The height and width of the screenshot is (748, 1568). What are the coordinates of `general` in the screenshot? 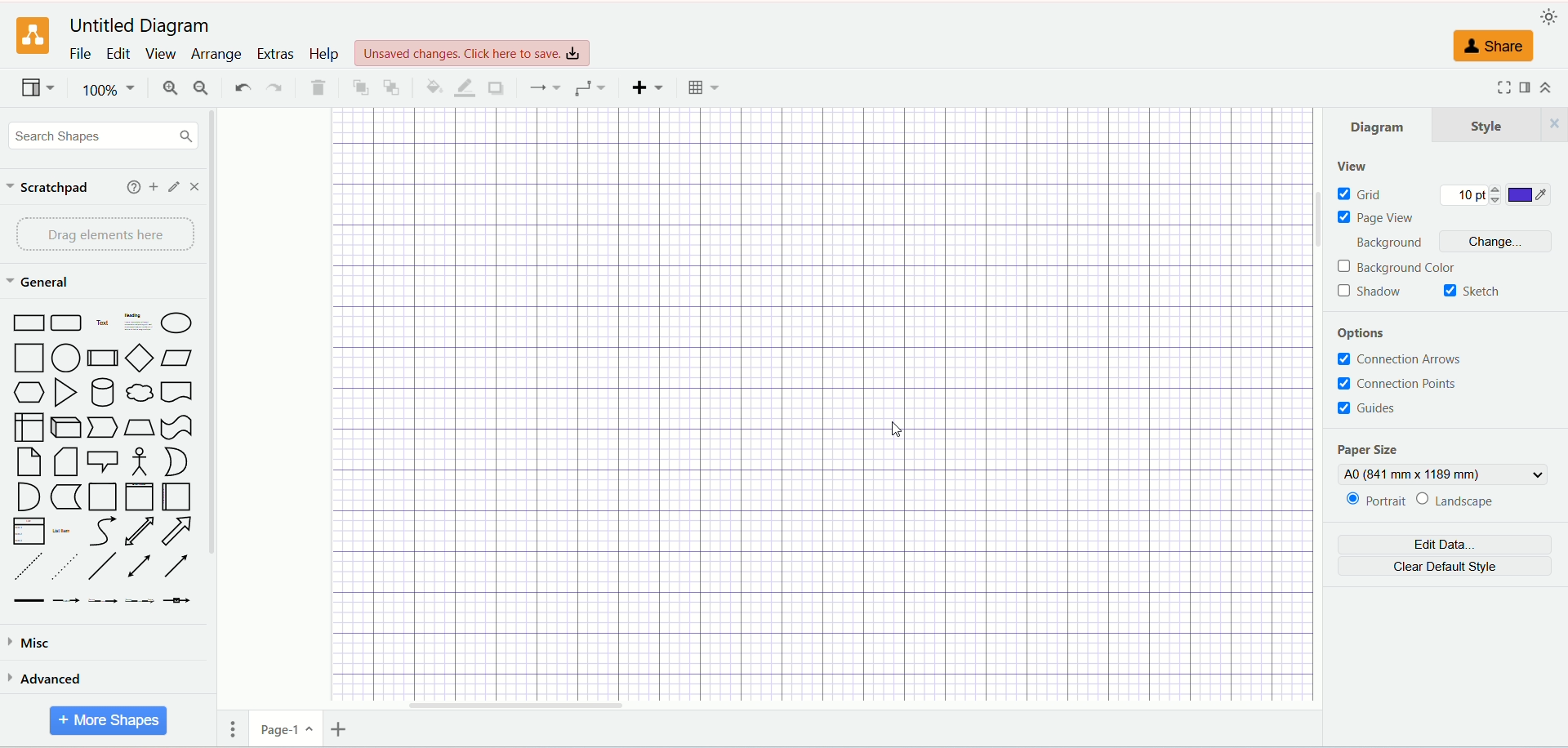 It's located at (42, 283).